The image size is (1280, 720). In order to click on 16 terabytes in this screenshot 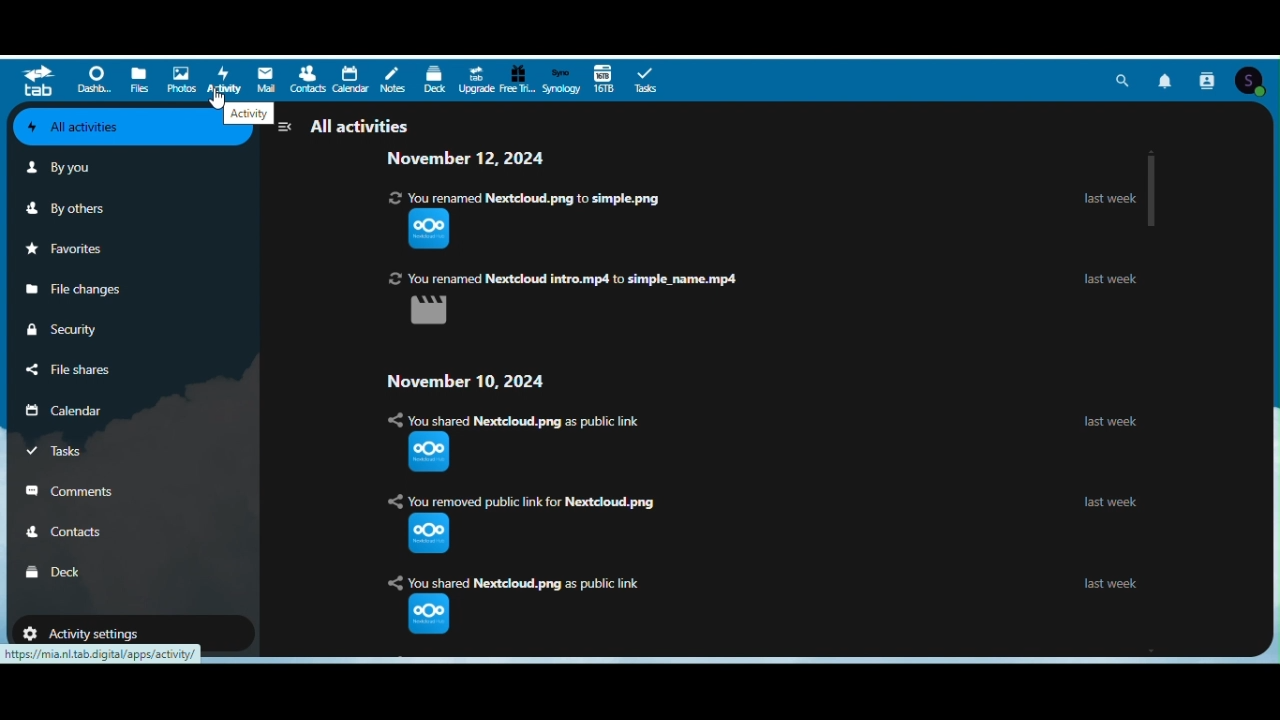, I will do `click(603, 80)`.